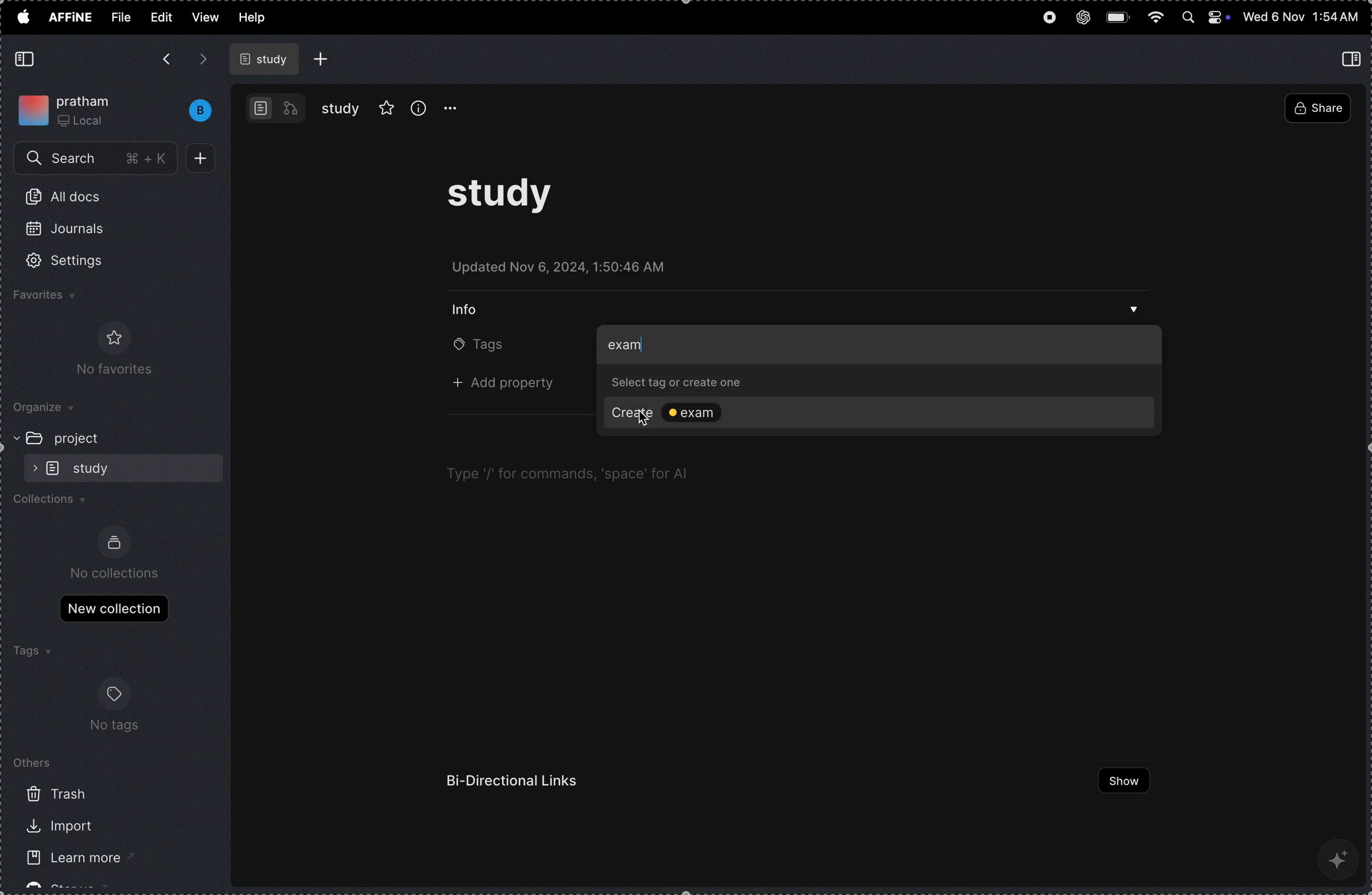 The image size is (1372, 895). Describe the element at coordinates (471, 308) in the screenshot. I see `info` at that location.